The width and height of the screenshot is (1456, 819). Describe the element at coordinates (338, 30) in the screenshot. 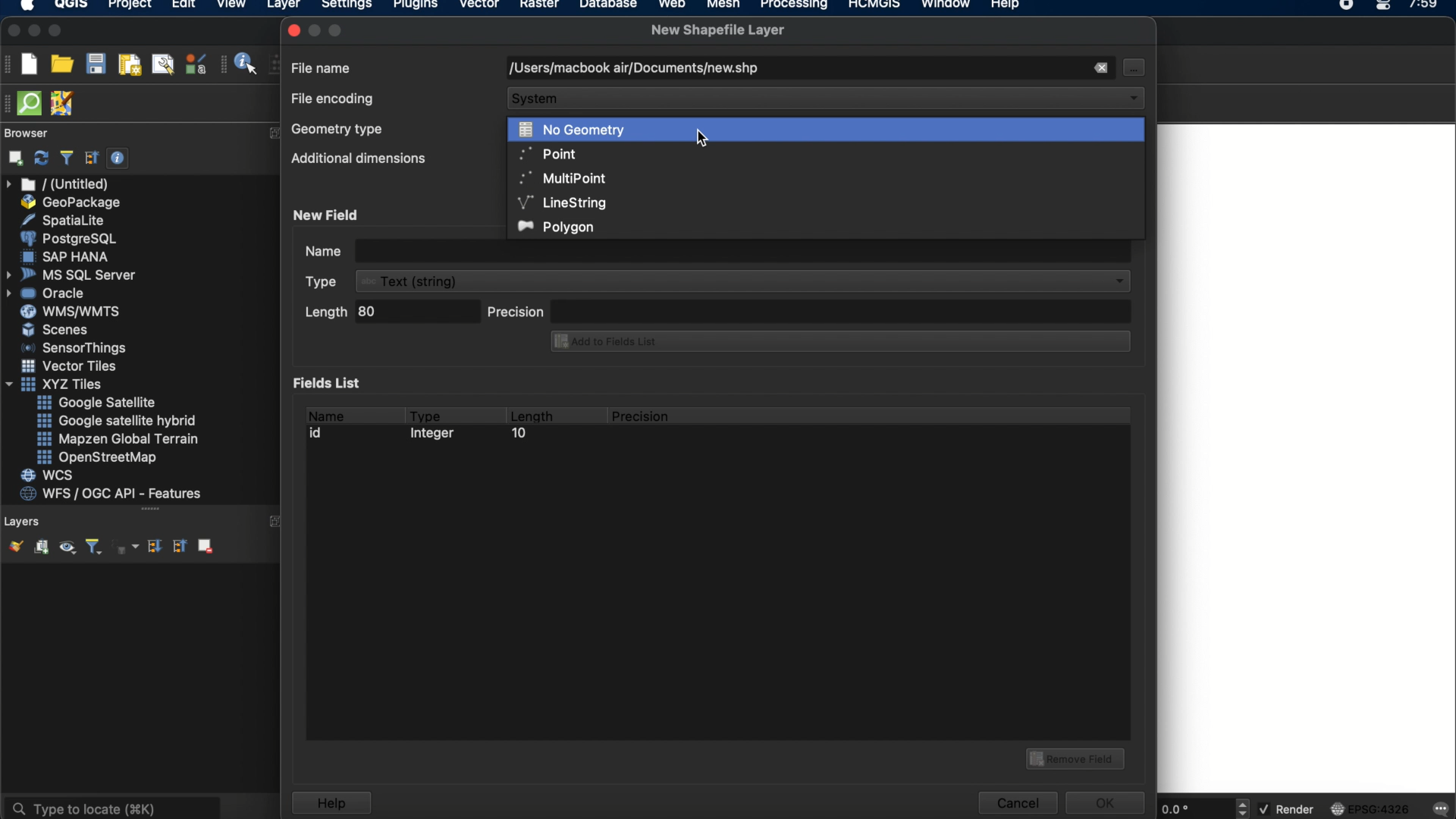

I see `maximize` at that location.